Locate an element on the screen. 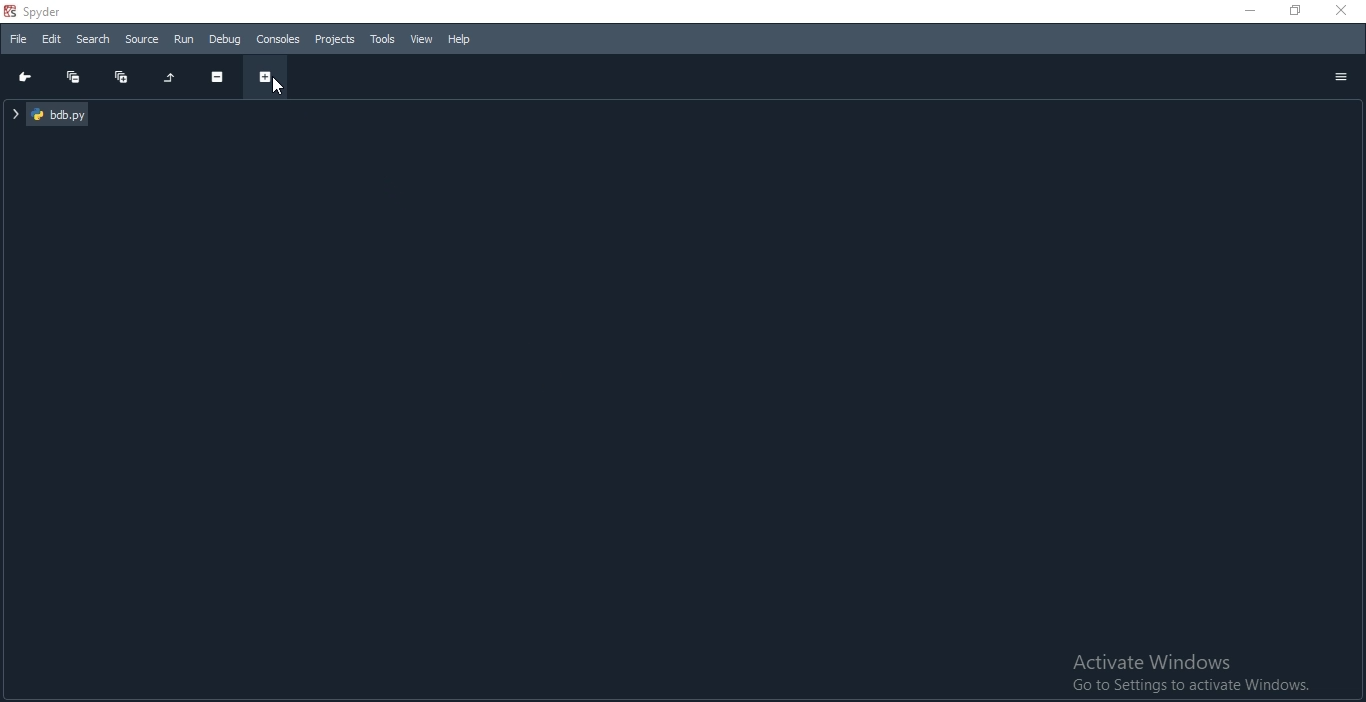  File  is located at coordinates (15, 37).